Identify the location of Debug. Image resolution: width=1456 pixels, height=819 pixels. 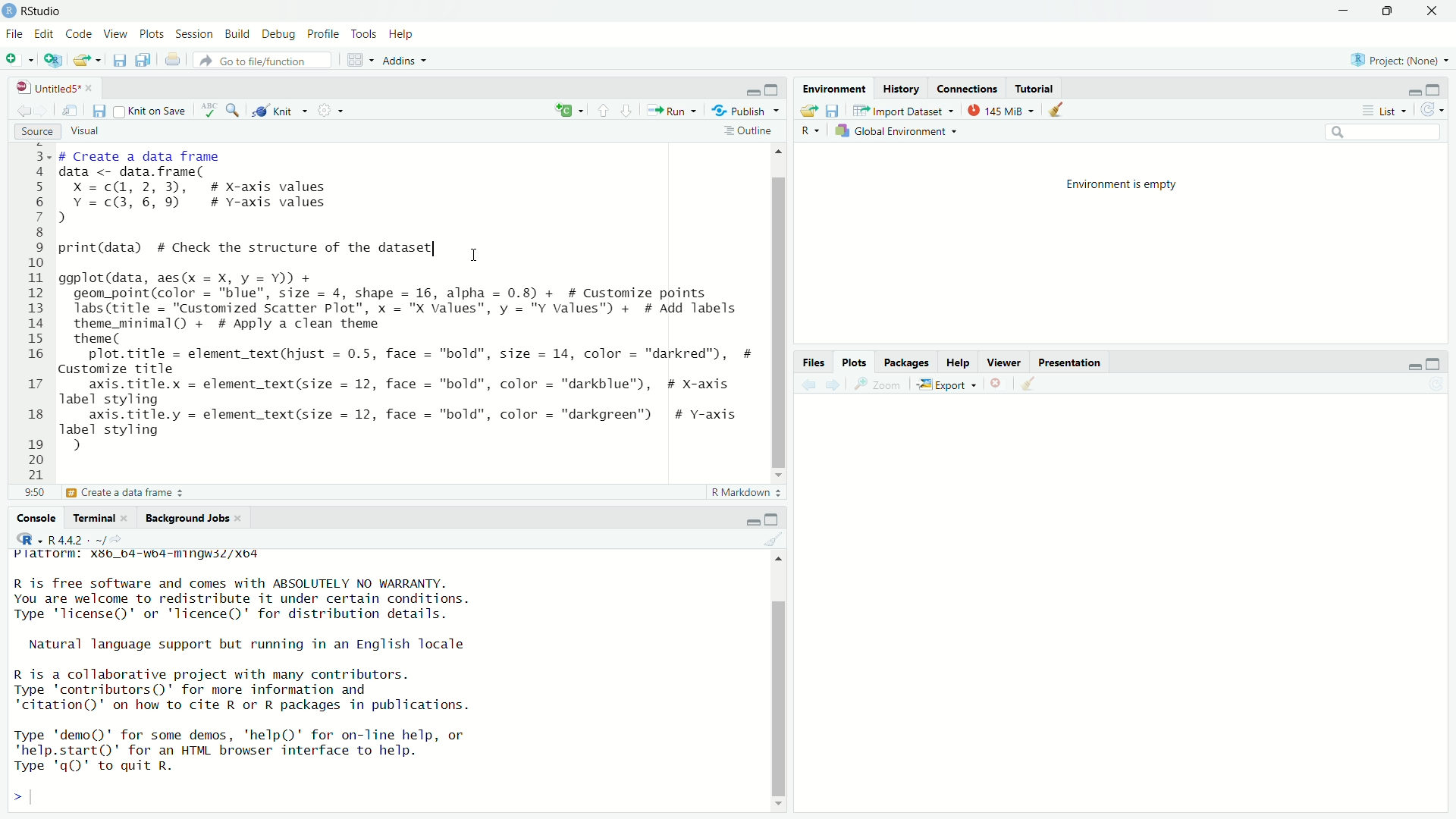
(279, 35).